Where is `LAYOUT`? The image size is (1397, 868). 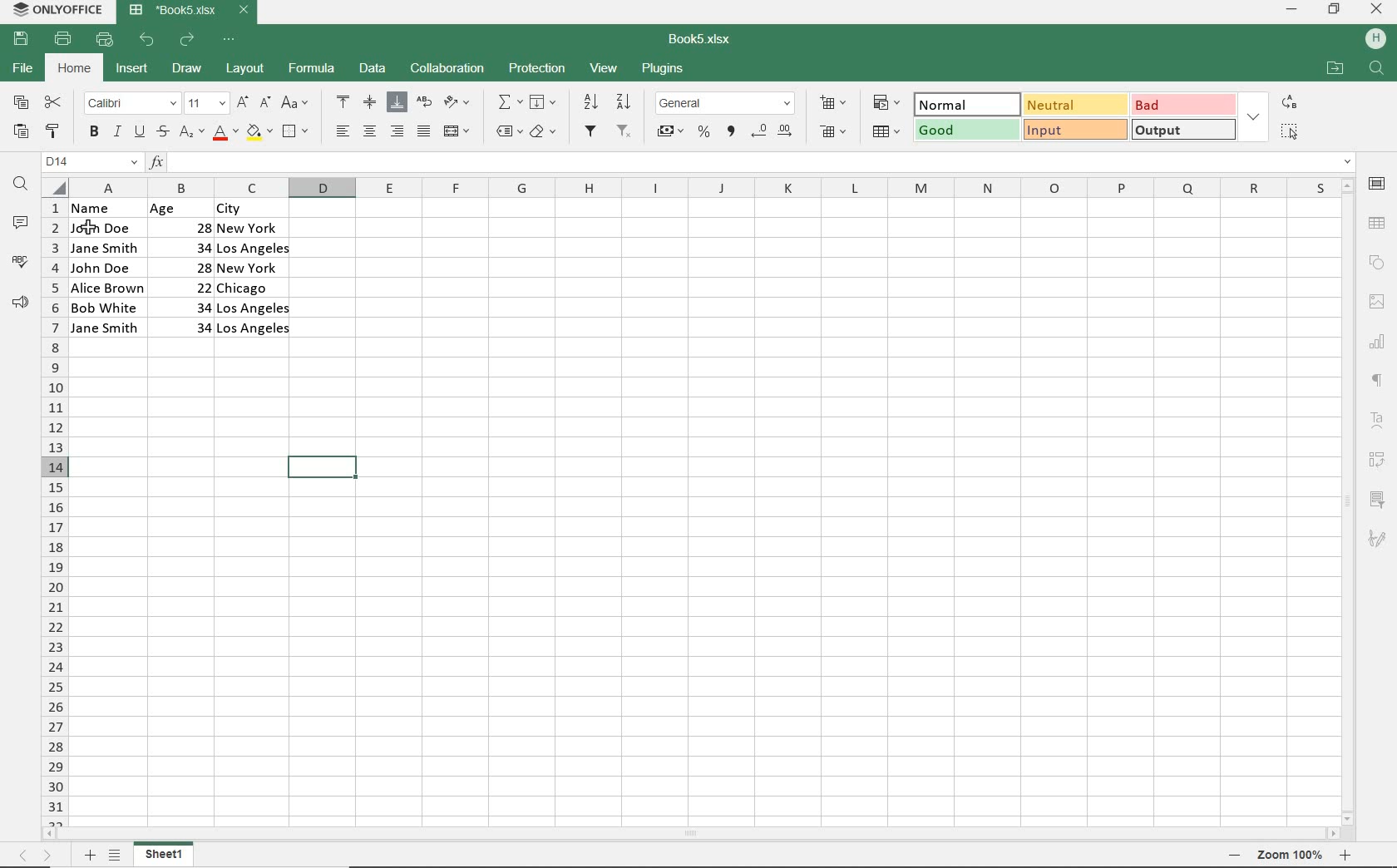
LAYOUT is located at coordinates (243, 70).